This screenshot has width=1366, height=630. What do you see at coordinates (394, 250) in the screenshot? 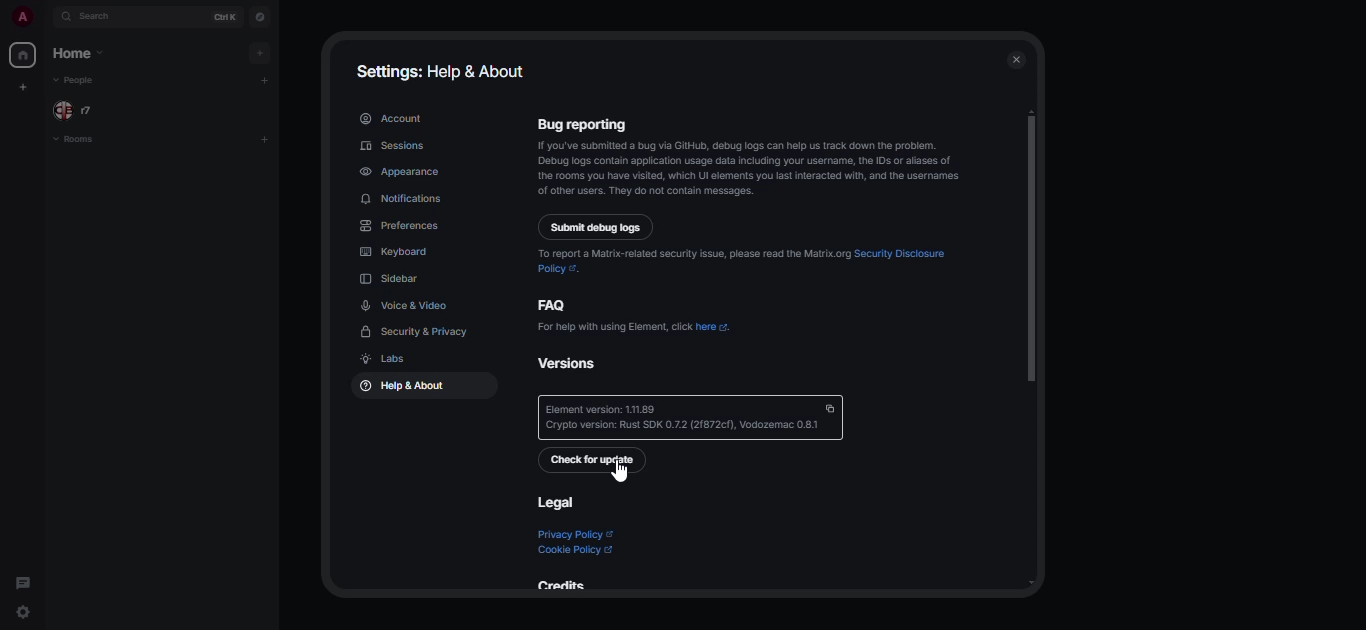
I see `keyboard` at bounding box center [394, 250].